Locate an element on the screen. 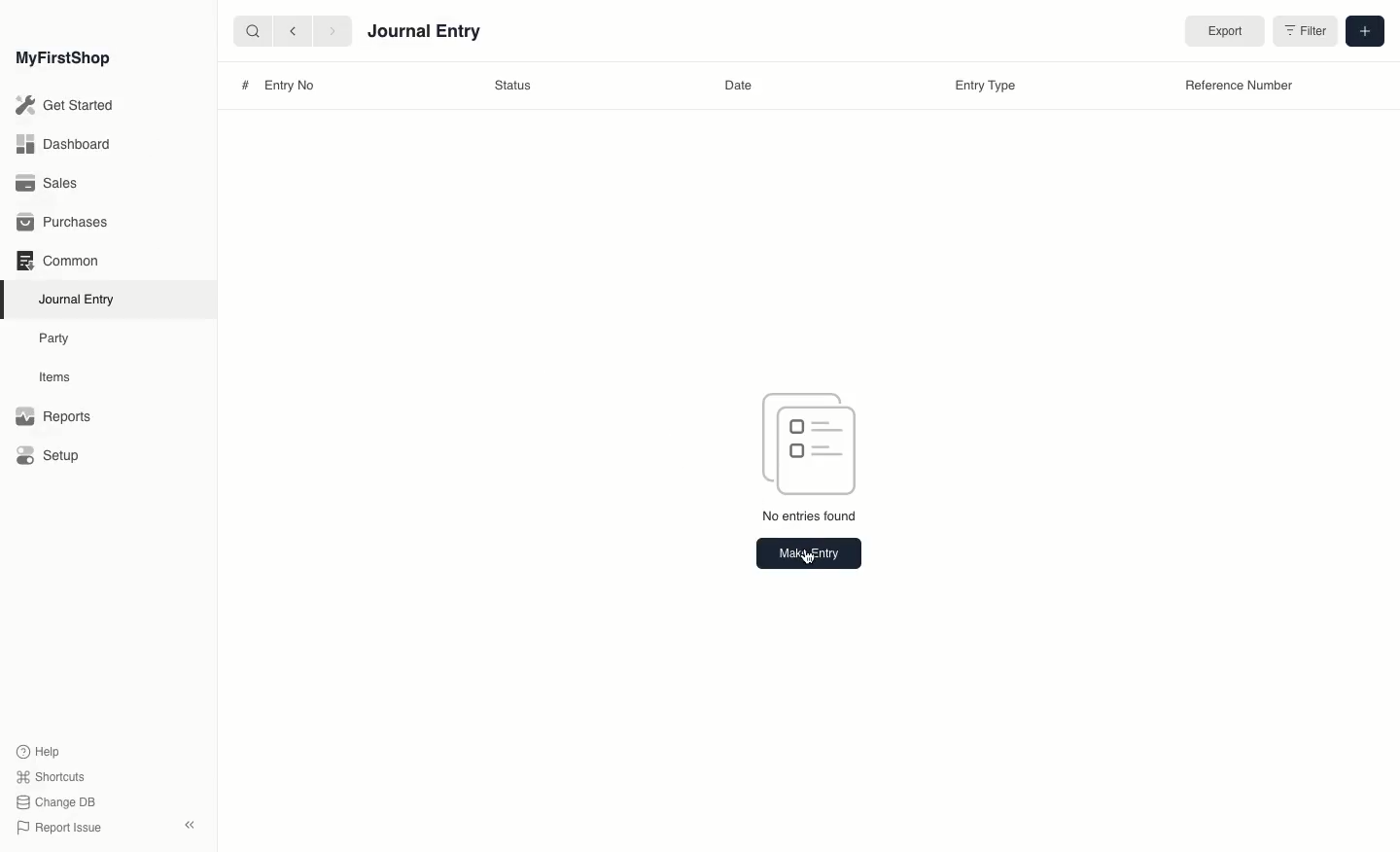 The image size is (1400, 852). Journal Entry is located at coordinates (425, 31).